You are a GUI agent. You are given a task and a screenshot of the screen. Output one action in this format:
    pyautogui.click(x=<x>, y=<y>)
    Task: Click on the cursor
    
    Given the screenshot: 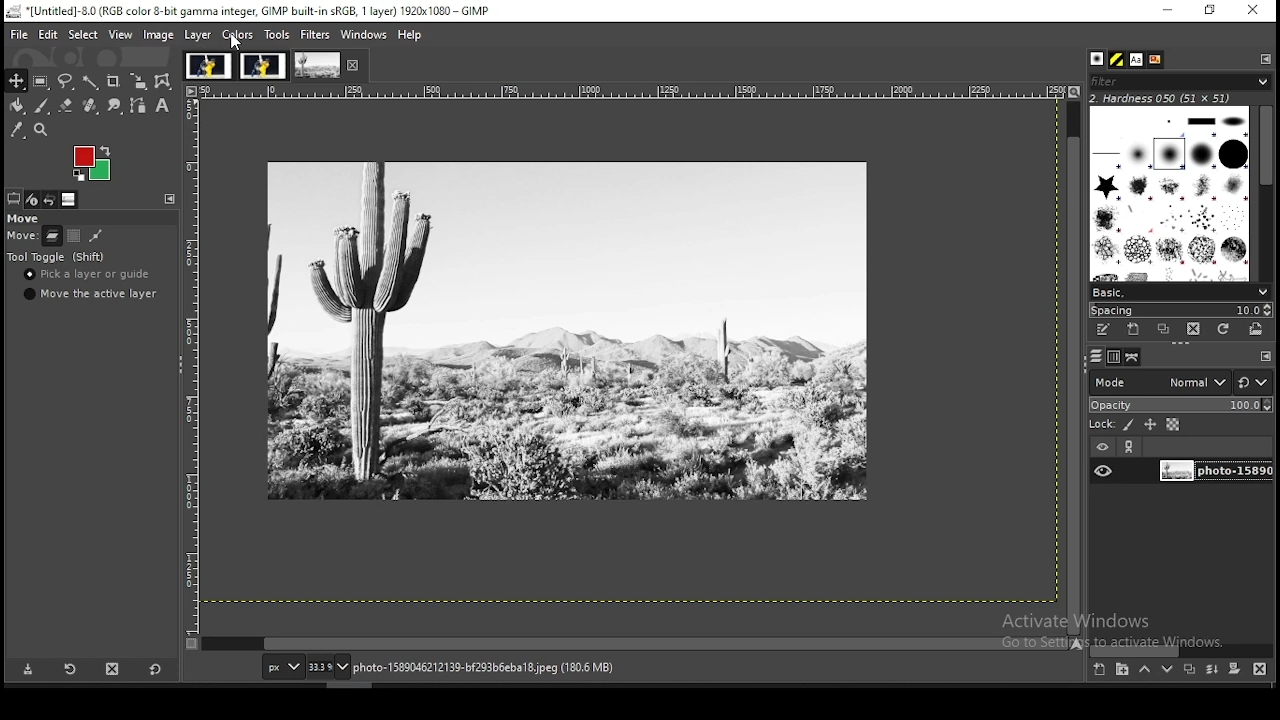 What is the action you would take?
    pyautogui.click(x=236, y=42)
    